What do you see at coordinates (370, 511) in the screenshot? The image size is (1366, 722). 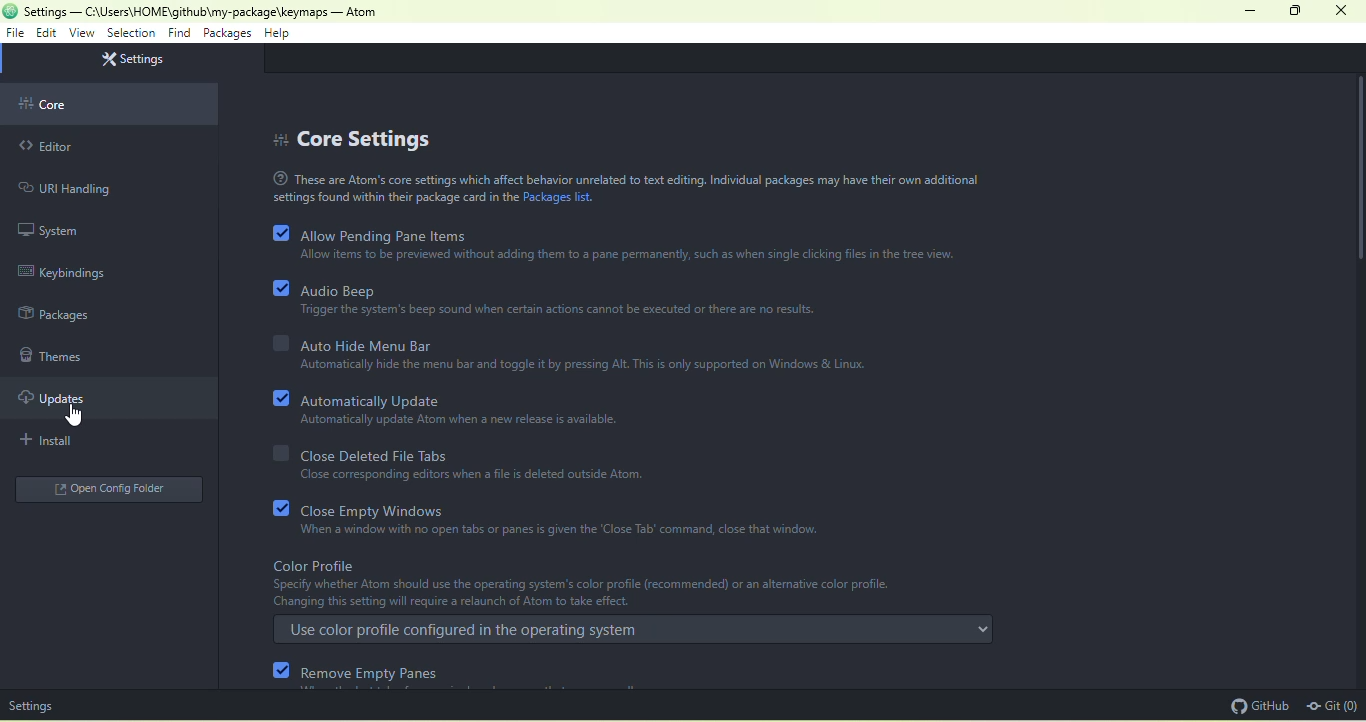 I see `close empty windows` at bounding box center [370, 511].